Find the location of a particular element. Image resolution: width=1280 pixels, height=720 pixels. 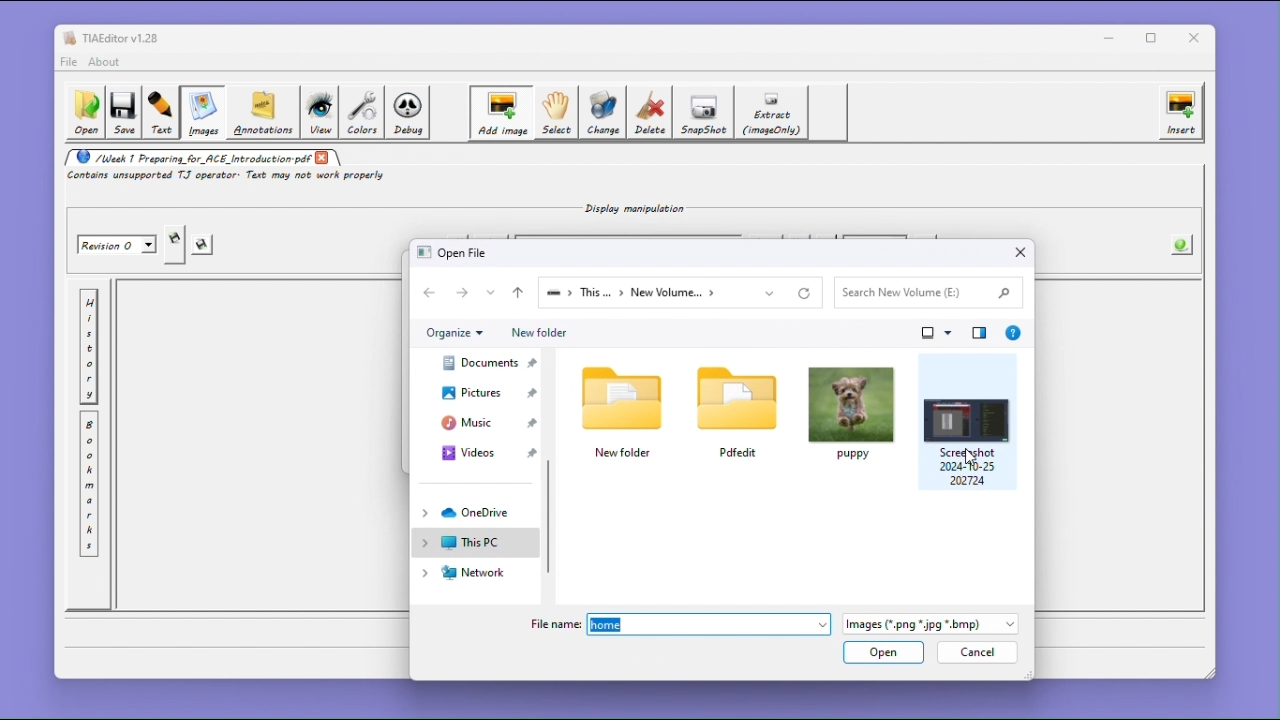

Contains unsupported TJ operator. Text may not work properly is located at coordinates (229, 177).